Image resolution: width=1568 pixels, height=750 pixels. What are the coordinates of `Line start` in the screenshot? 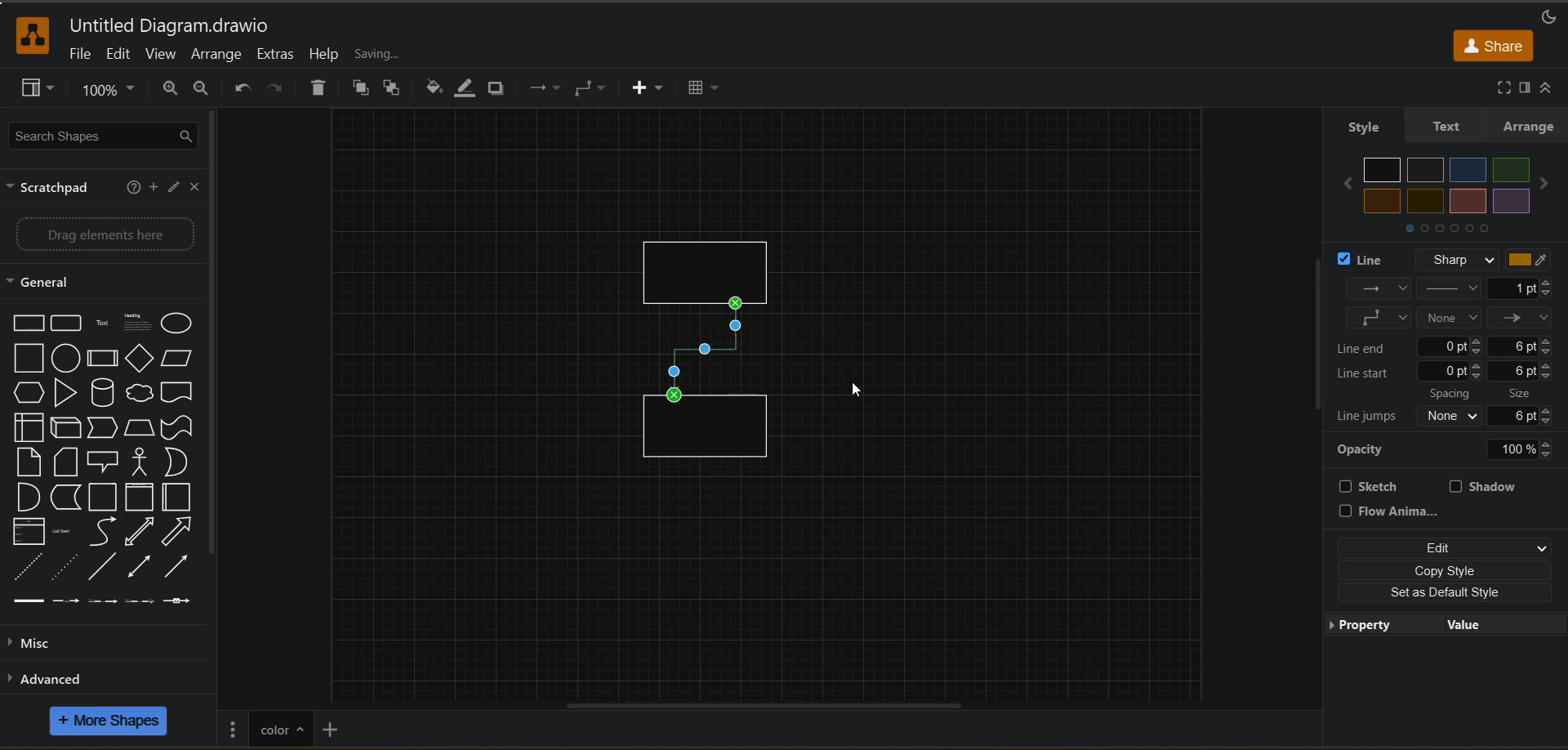 It's located at (1367, 373).